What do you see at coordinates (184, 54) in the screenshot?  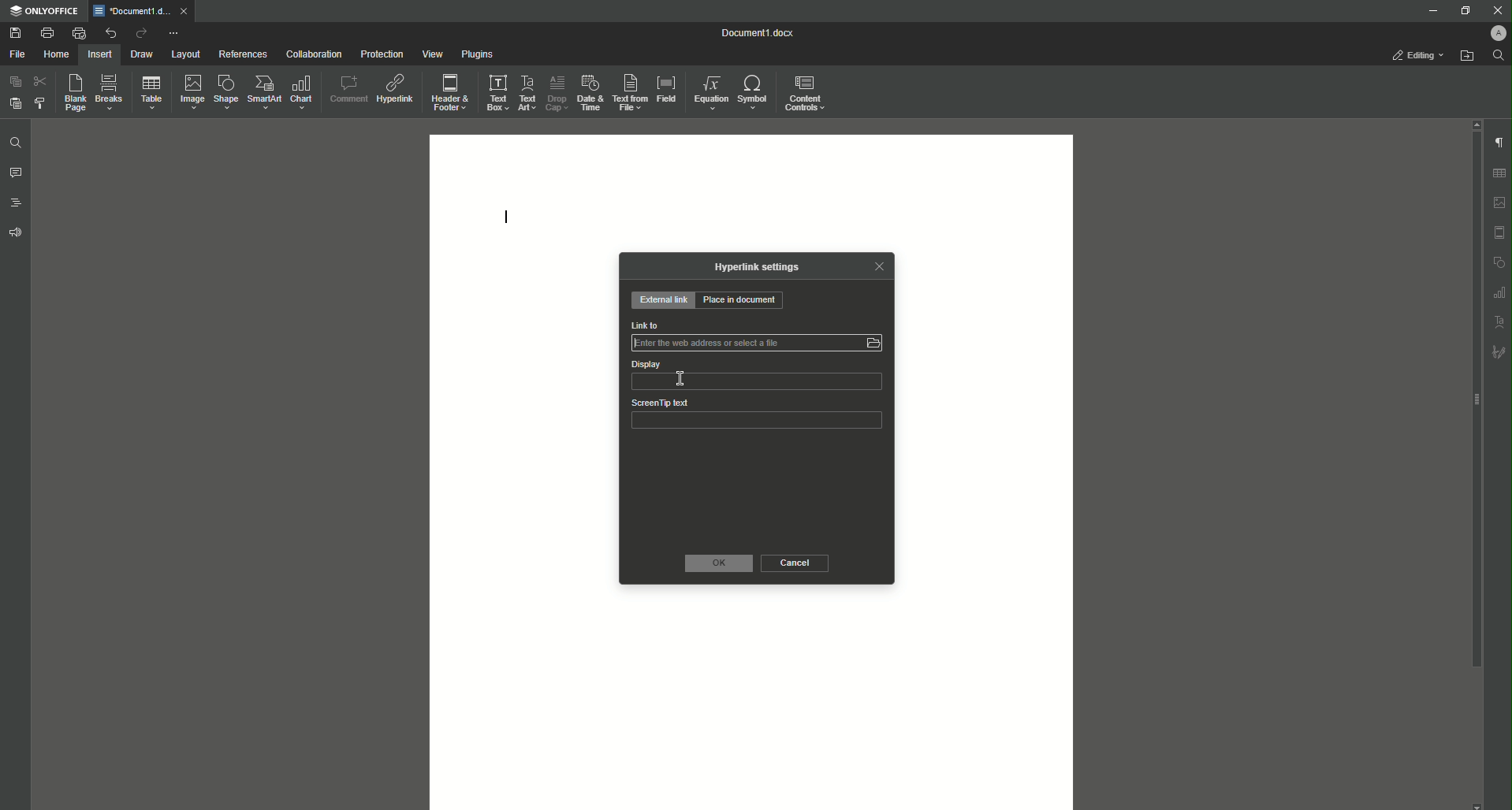 I see `Layout` at bounding box center [184, 54].